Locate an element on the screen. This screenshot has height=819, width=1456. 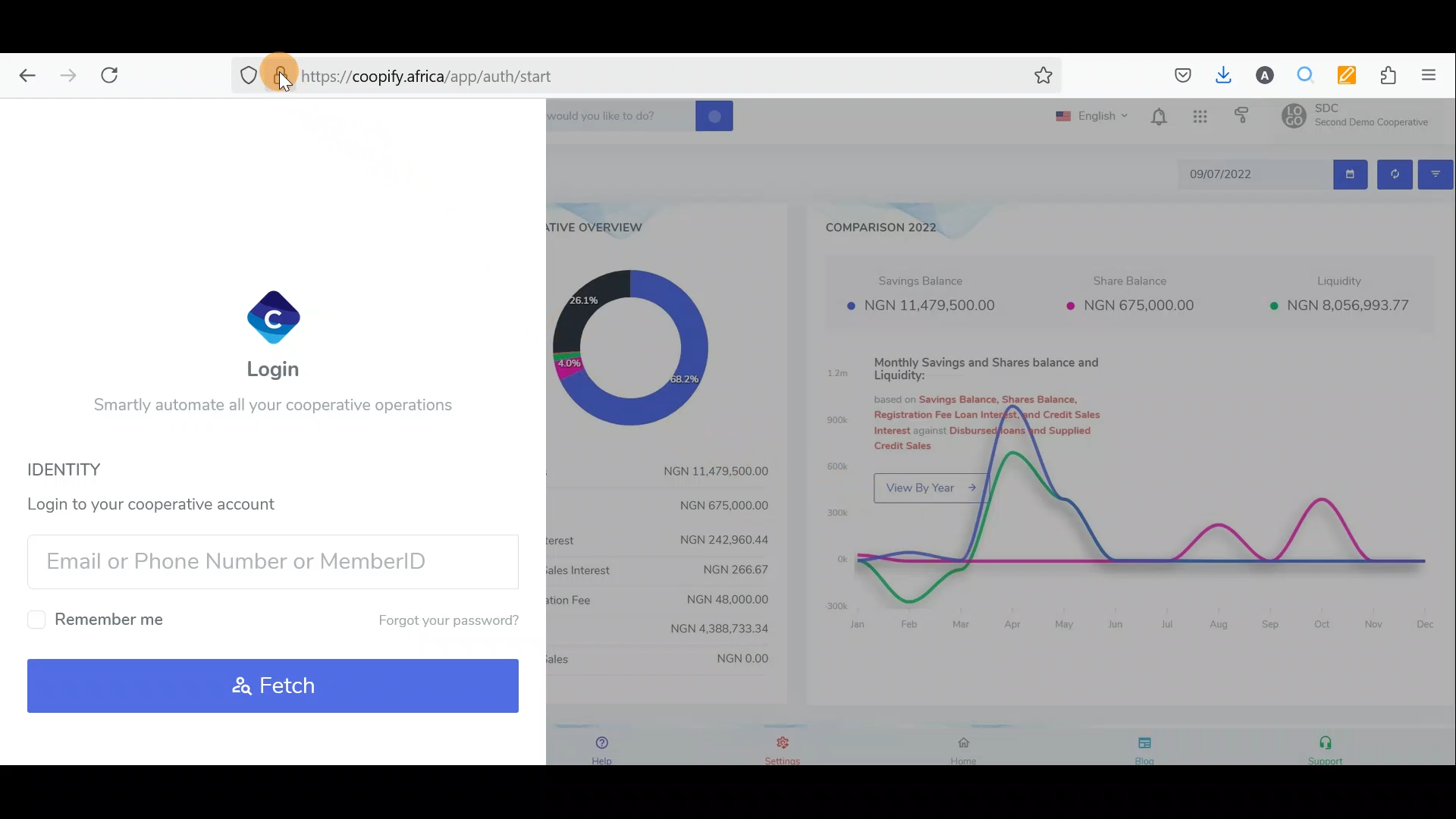
Account is located at coordinates (1259, 75).